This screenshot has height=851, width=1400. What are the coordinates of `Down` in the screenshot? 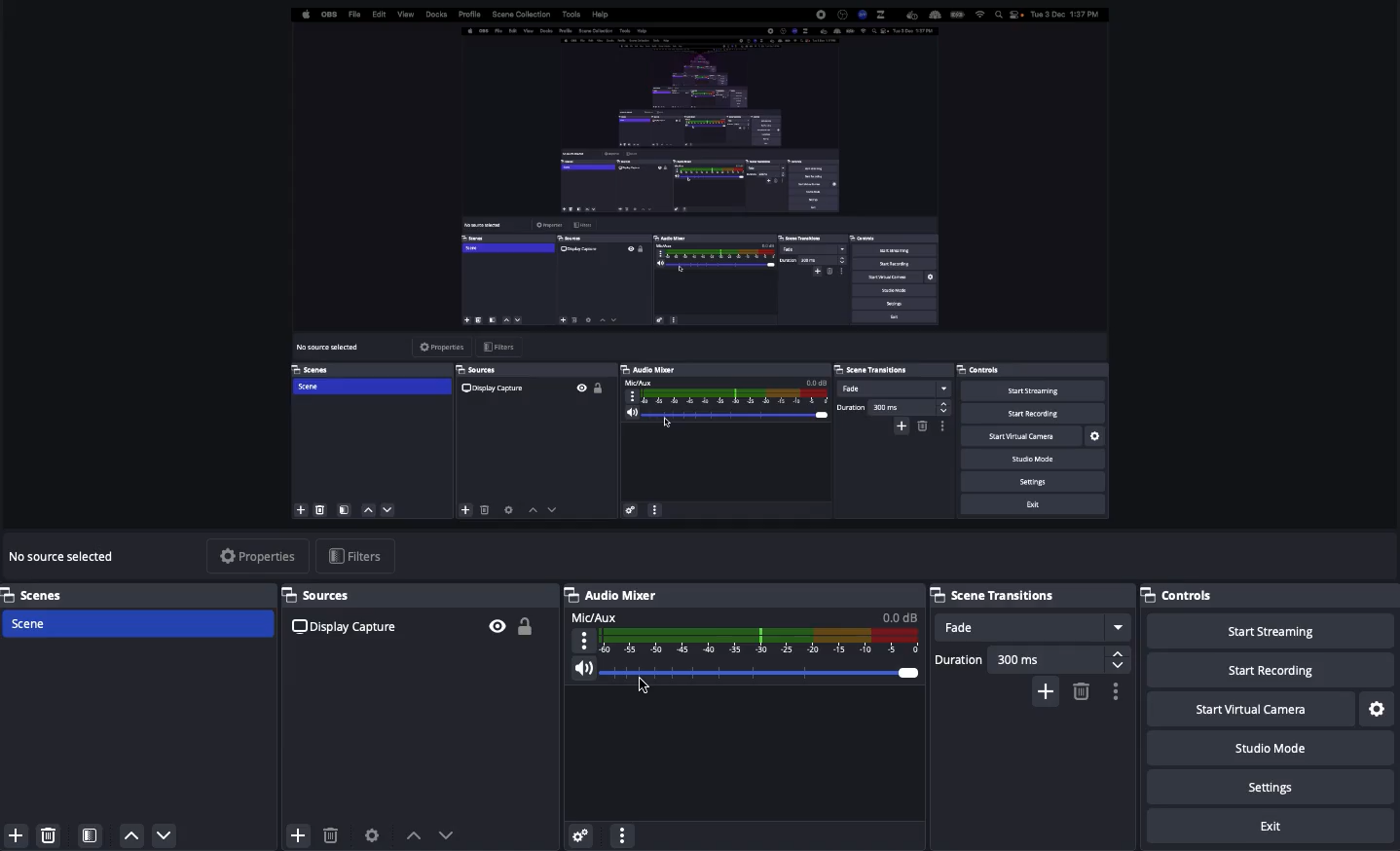 It's located at (166, 837).